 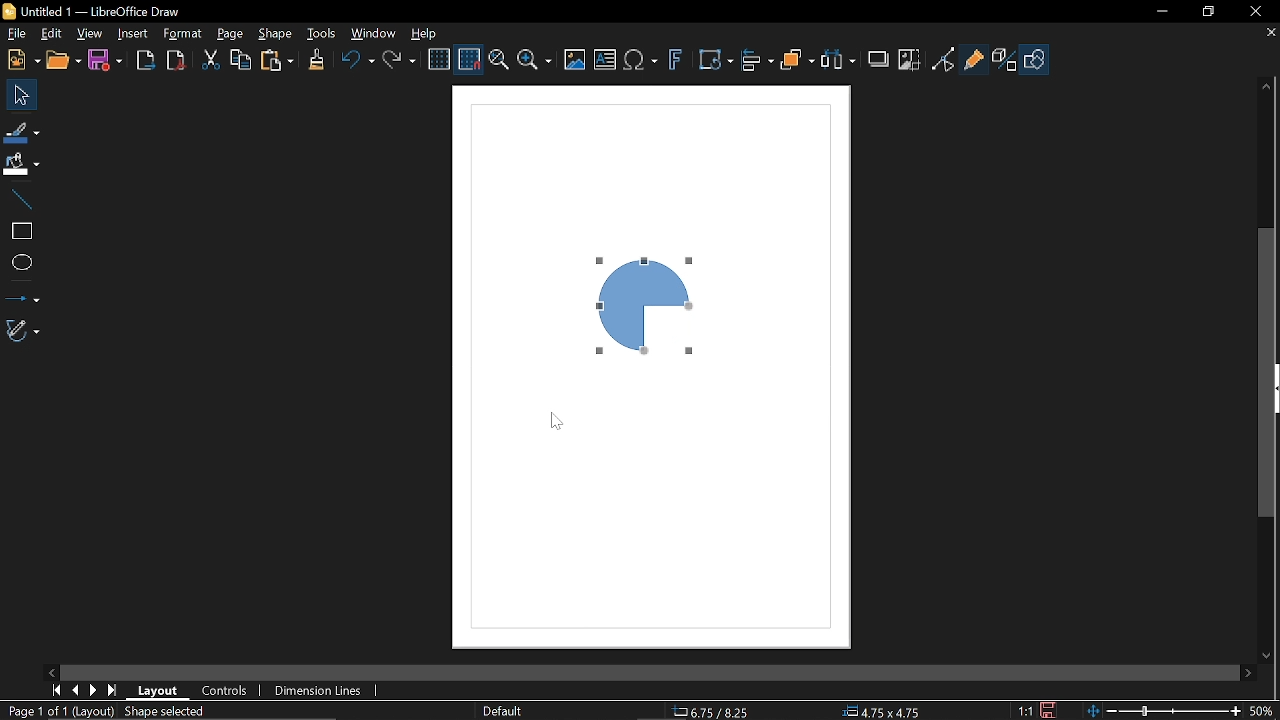 What do you see at coordinates (185, 35) in the screenshot?
I see `Format` at bounding box center [185, 35].